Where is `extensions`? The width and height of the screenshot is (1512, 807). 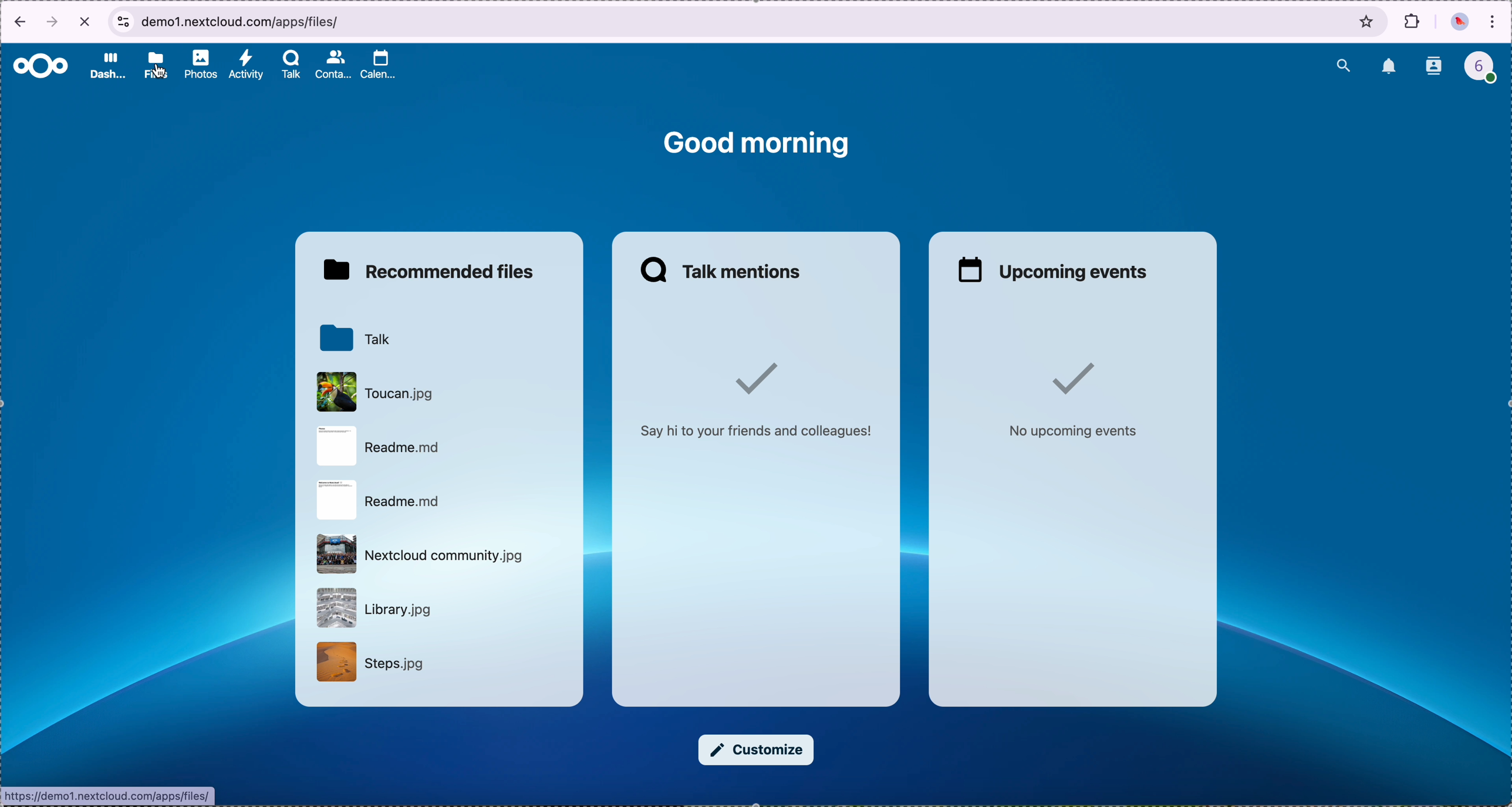 extensions is located at coordinates (1413, 21).